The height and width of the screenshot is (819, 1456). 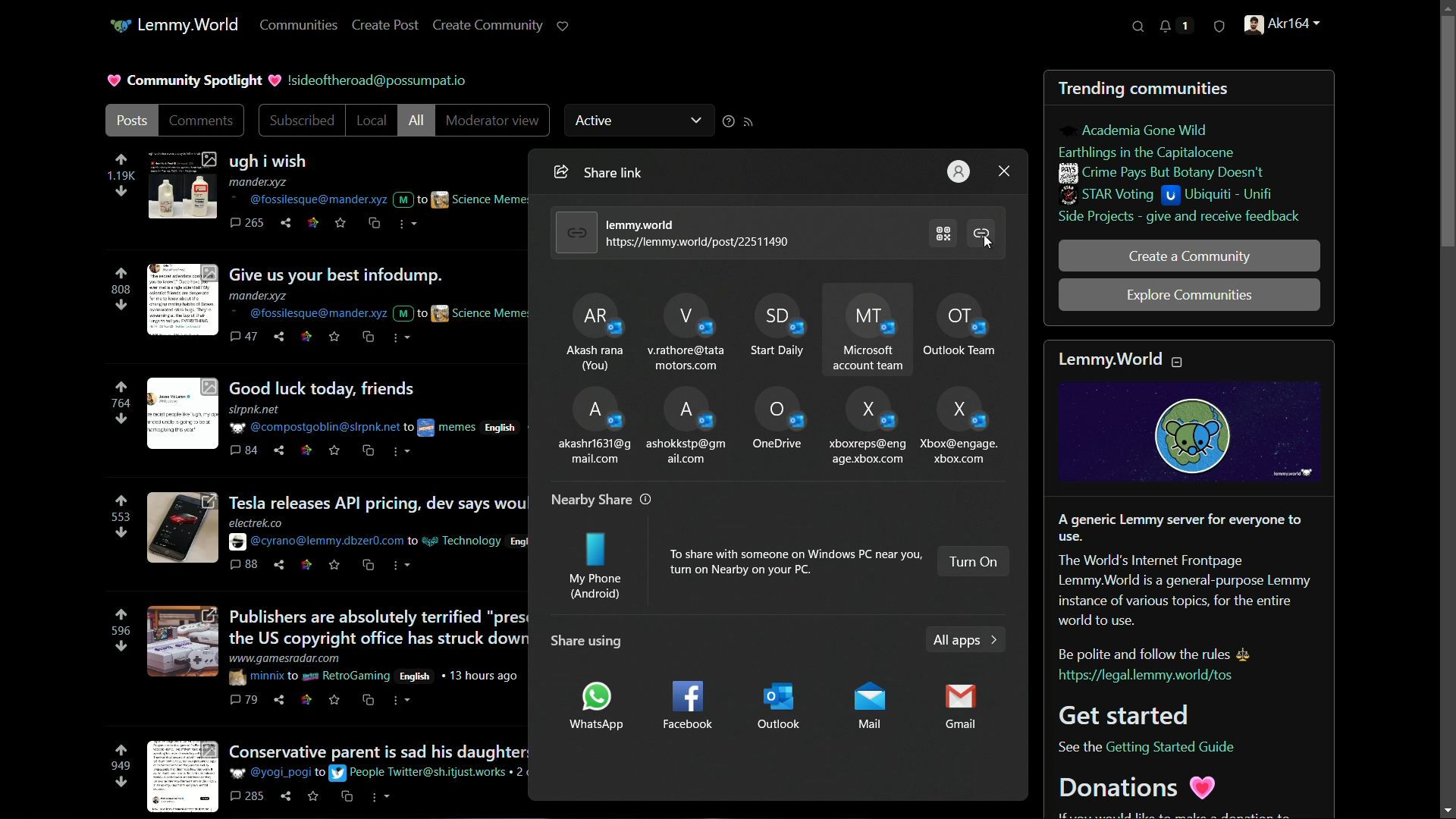 I want to click on give us your best infodump., so click(x=353, y=275).